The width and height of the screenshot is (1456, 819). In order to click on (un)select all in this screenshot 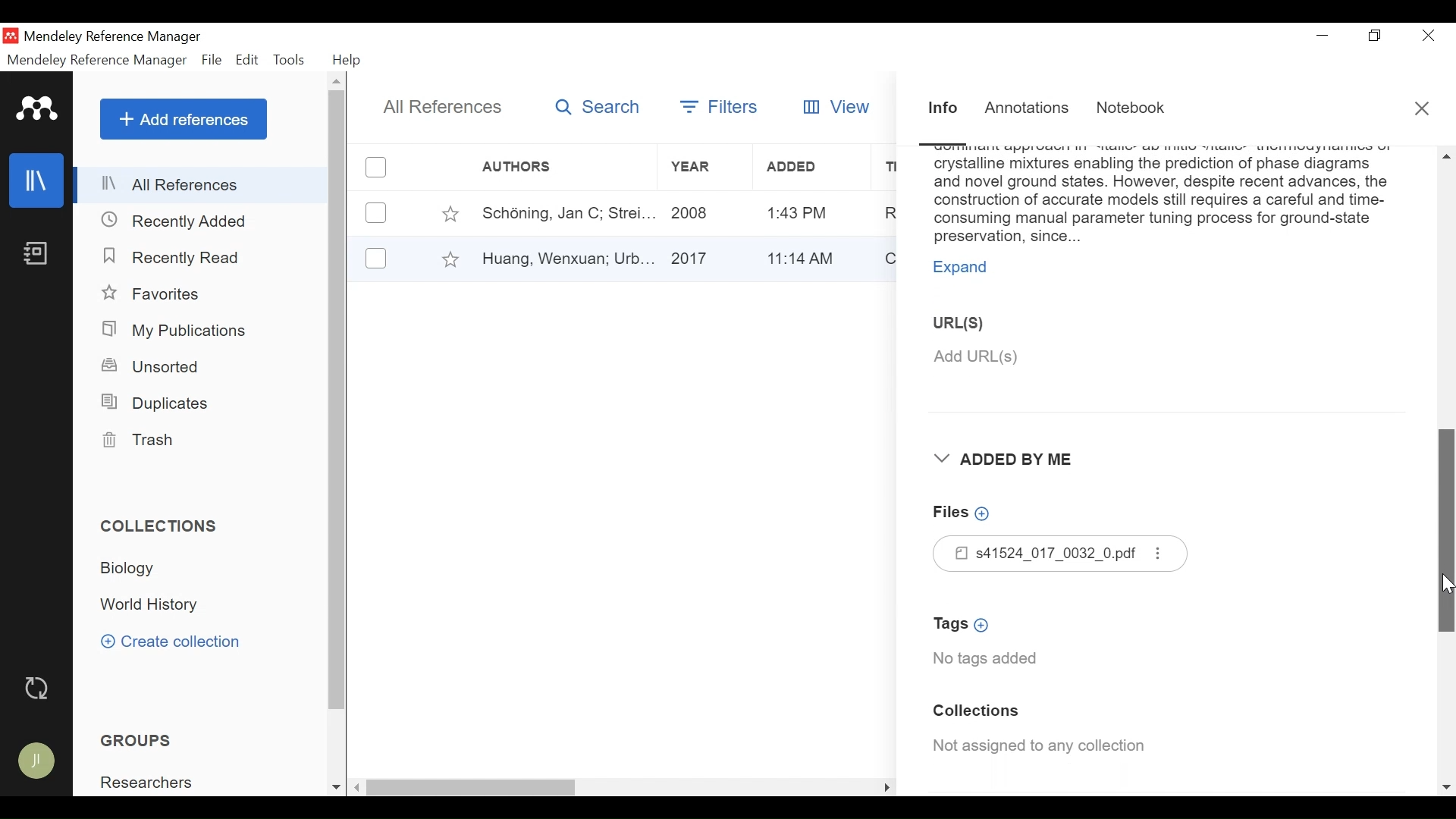, I will do `click(376, 168)`.